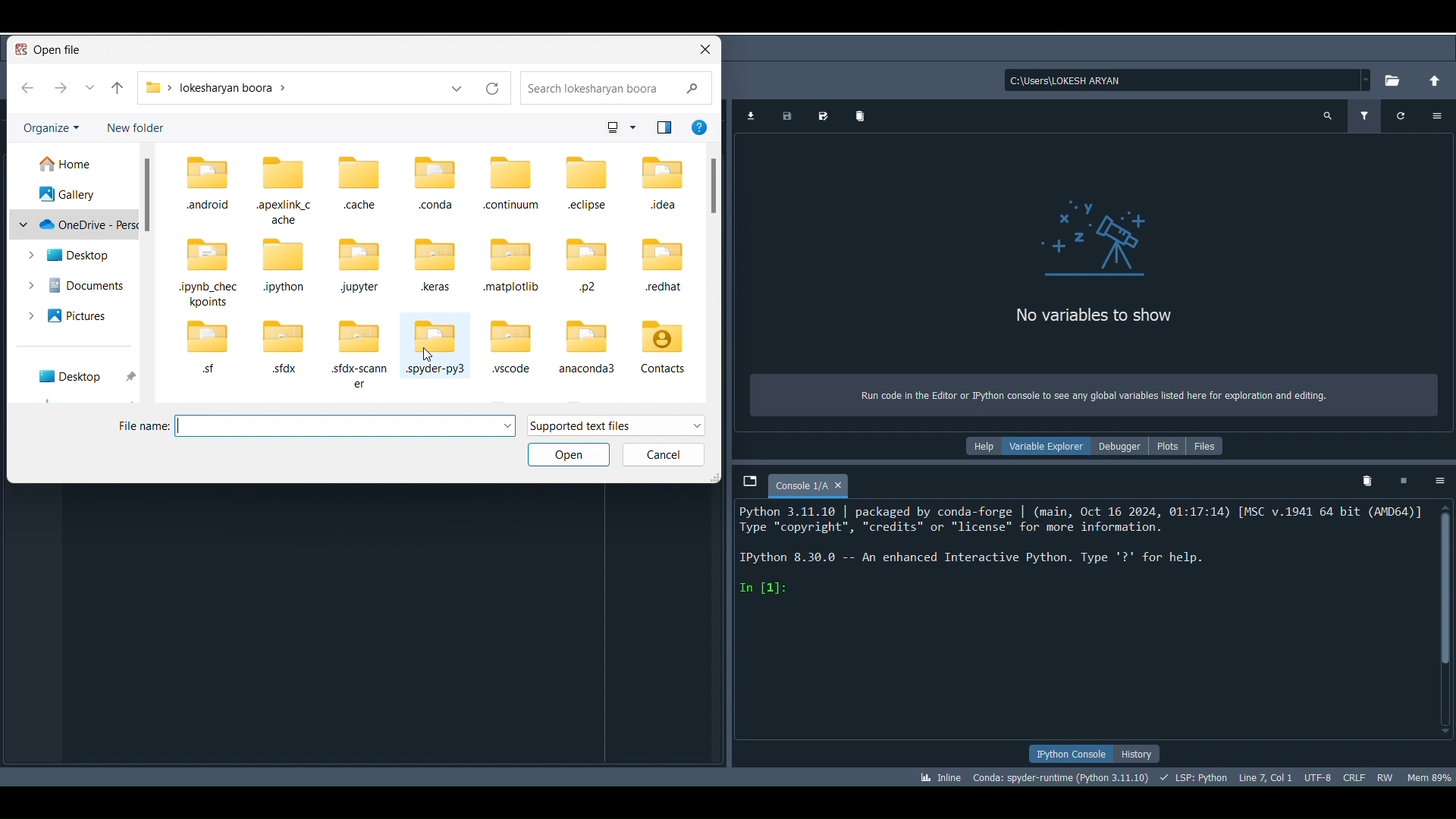 The width and height of the screenshot is (1456, 819). I want to click on back to top, so click(118, 87).